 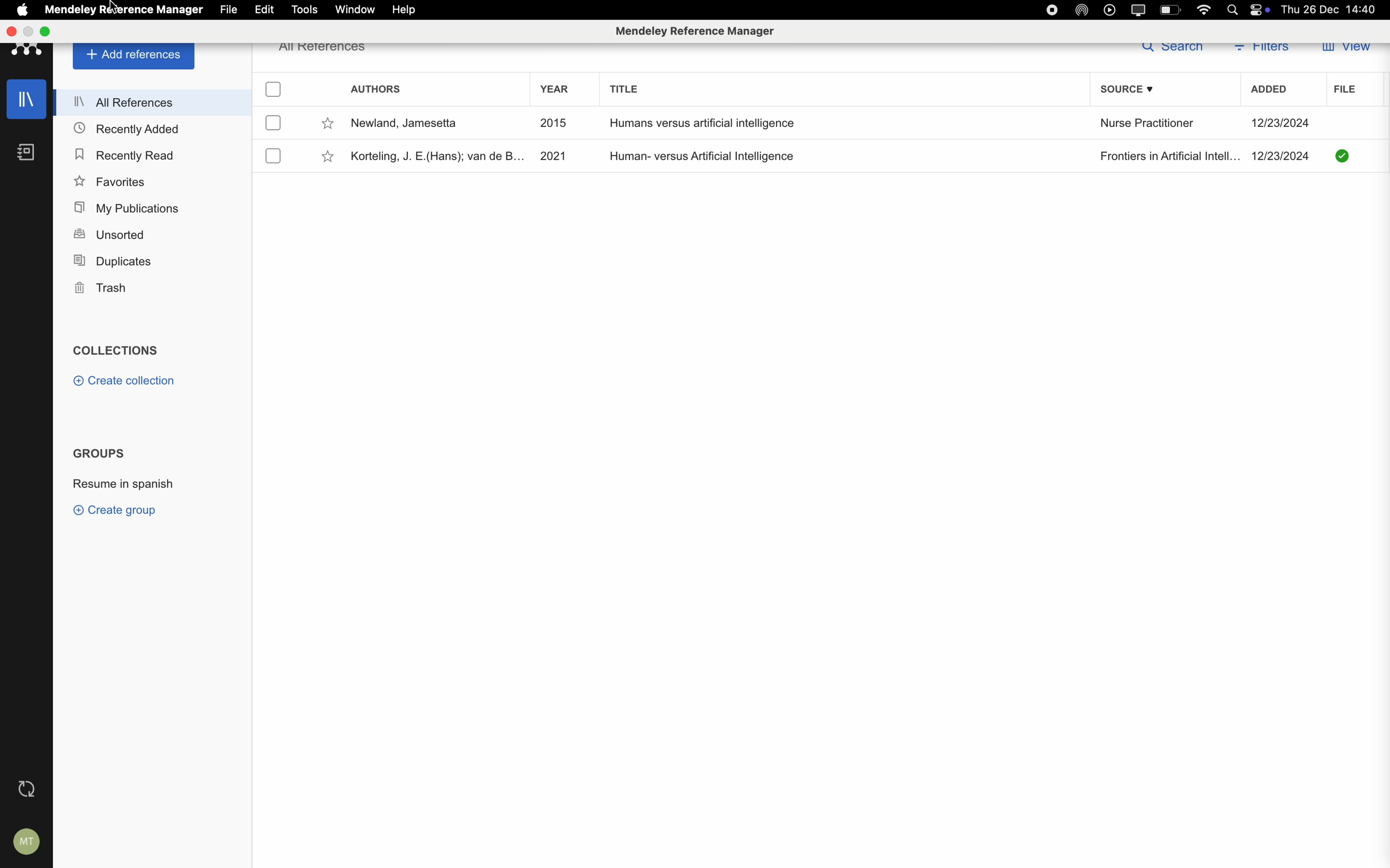 What do you see at coordinates (553, 122) in the screenshot?
I see `2015` at bounding box center [553, 122].